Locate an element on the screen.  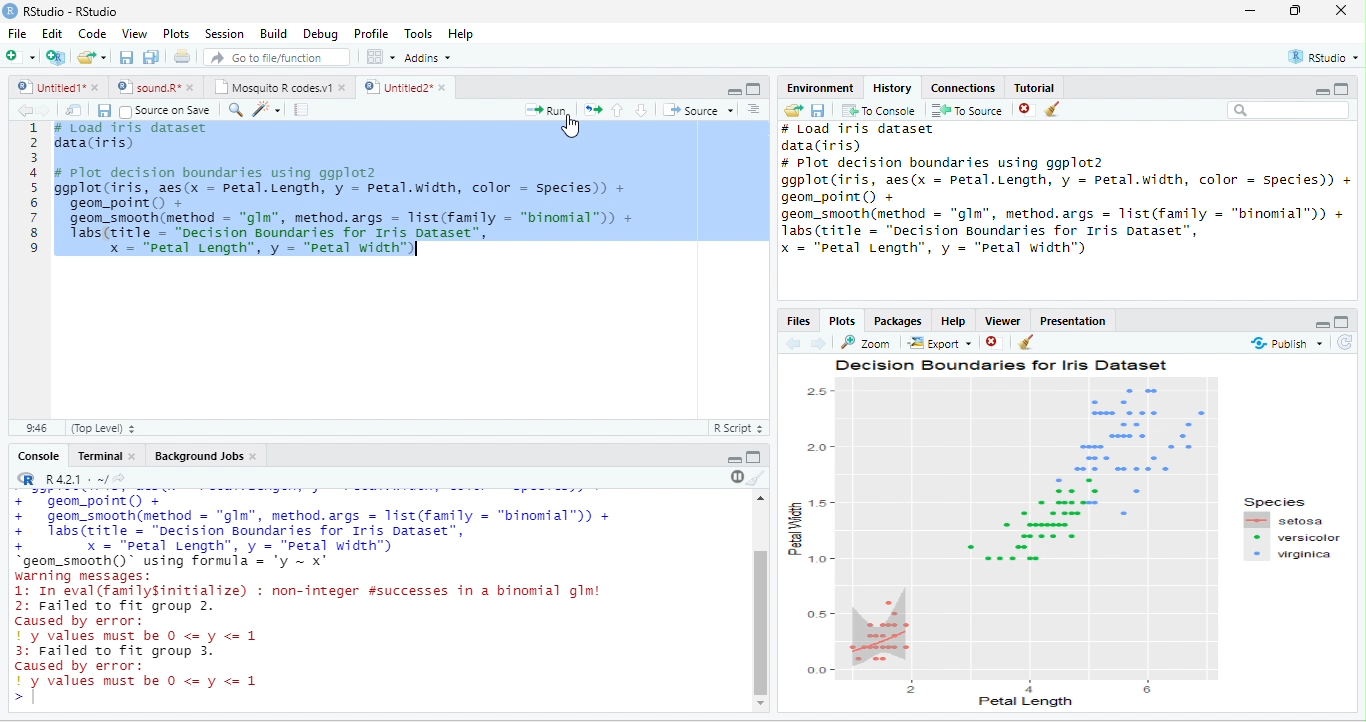
minimize is located at coordinates (734, 92).